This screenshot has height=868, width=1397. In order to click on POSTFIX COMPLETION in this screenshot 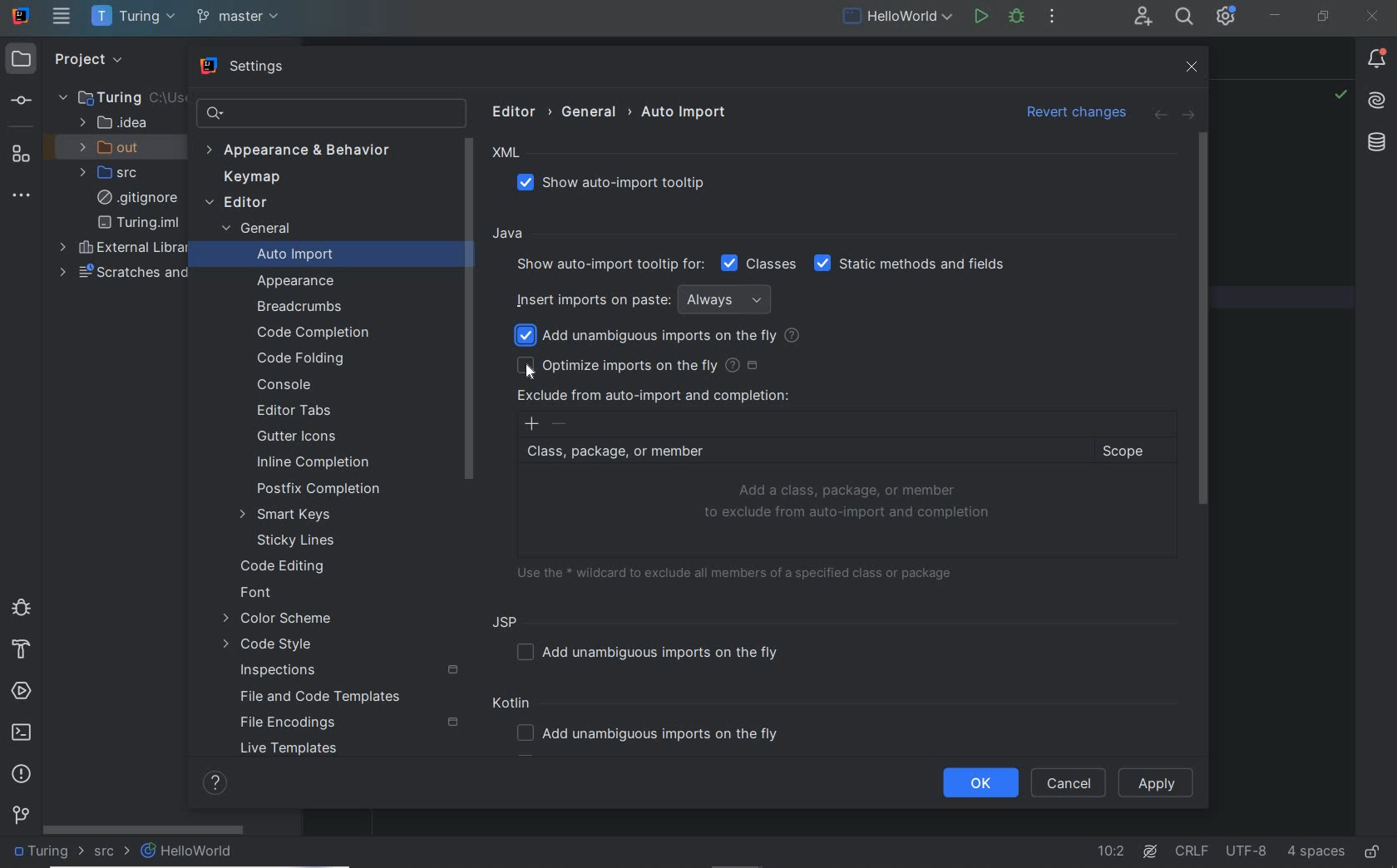, I will do `click(320, 489)`.